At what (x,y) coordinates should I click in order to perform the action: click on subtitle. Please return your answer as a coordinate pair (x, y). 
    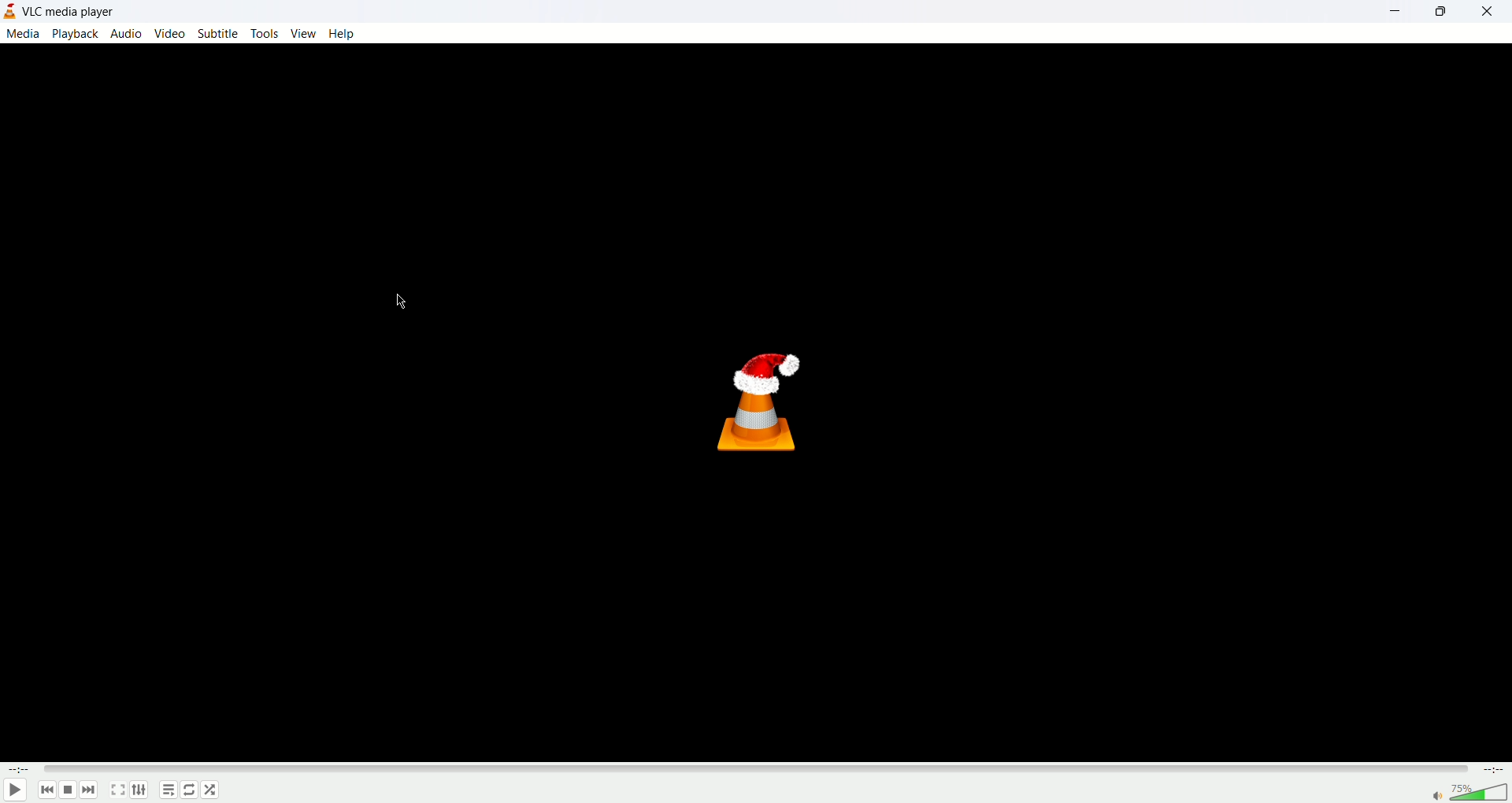
    Looking at the image, I should click on (217, 33).